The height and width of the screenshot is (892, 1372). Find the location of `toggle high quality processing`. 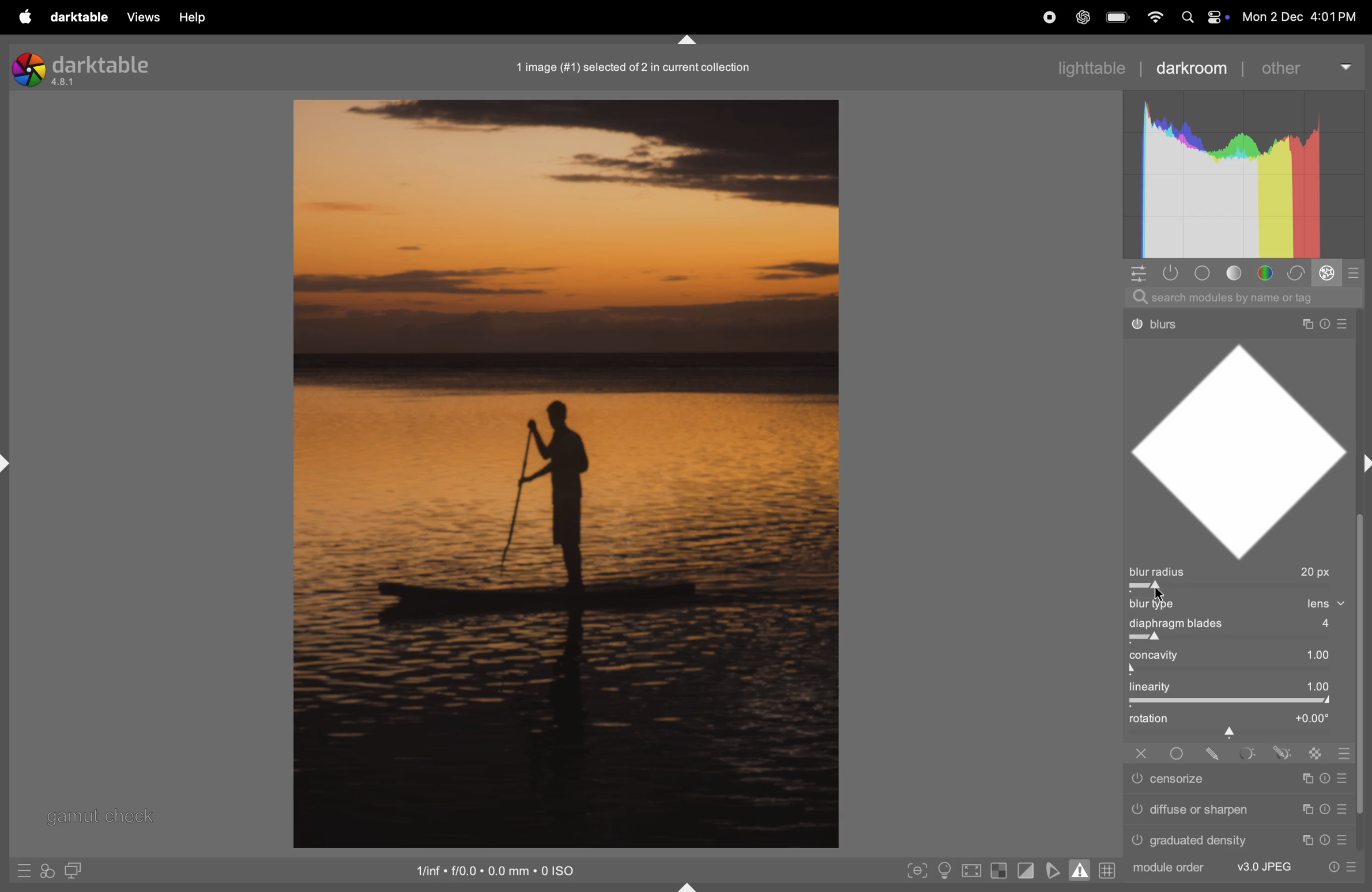

toggle high quality processing is located at coordinates (974, 870).